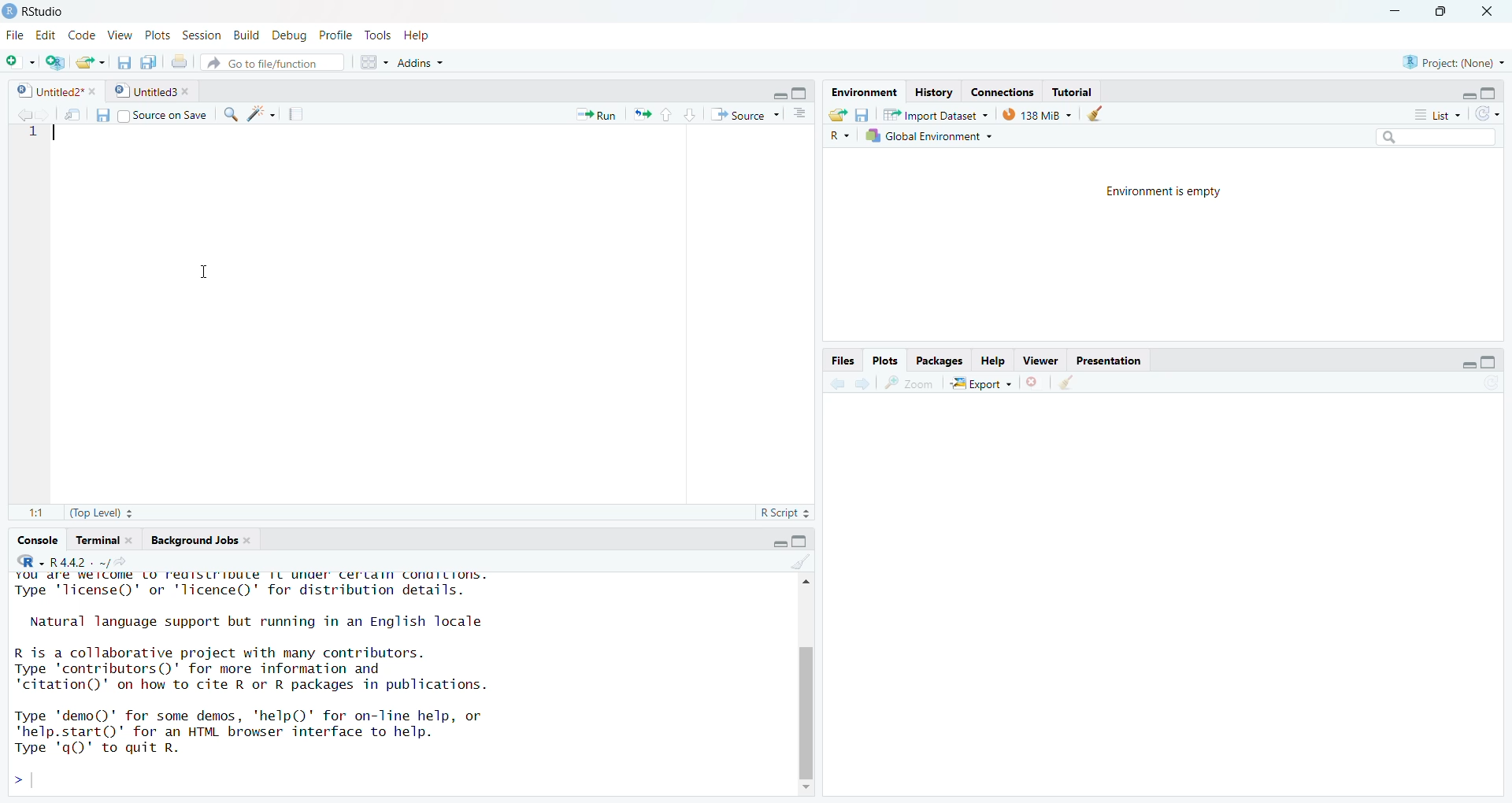  I want to click on Close, so click(1494, 10).